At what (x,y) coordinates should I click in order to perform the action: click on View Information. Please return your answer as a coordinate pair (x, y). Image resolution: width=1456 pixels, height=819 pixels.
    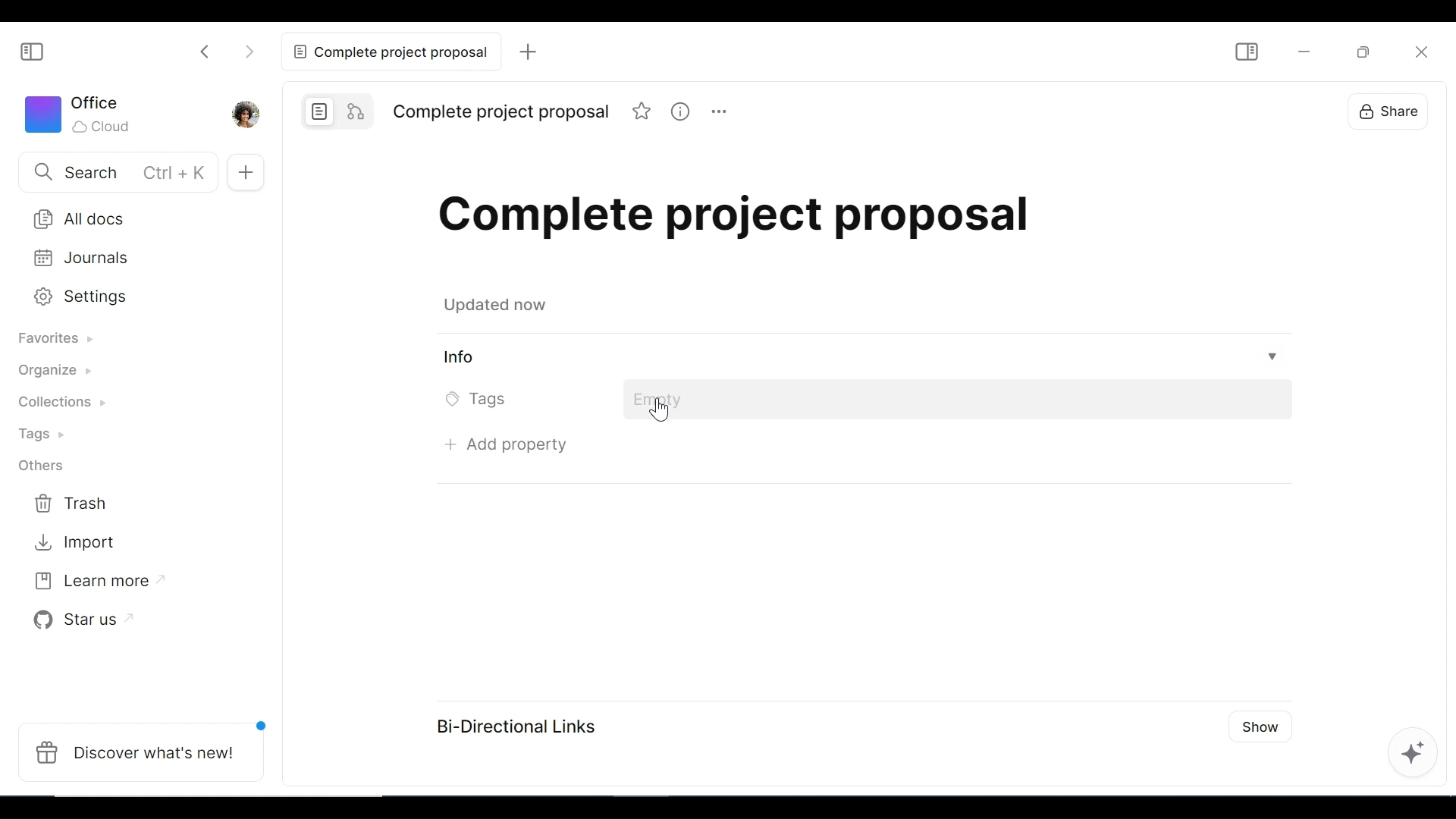
    Looking at the image, I should click on (863, 358).